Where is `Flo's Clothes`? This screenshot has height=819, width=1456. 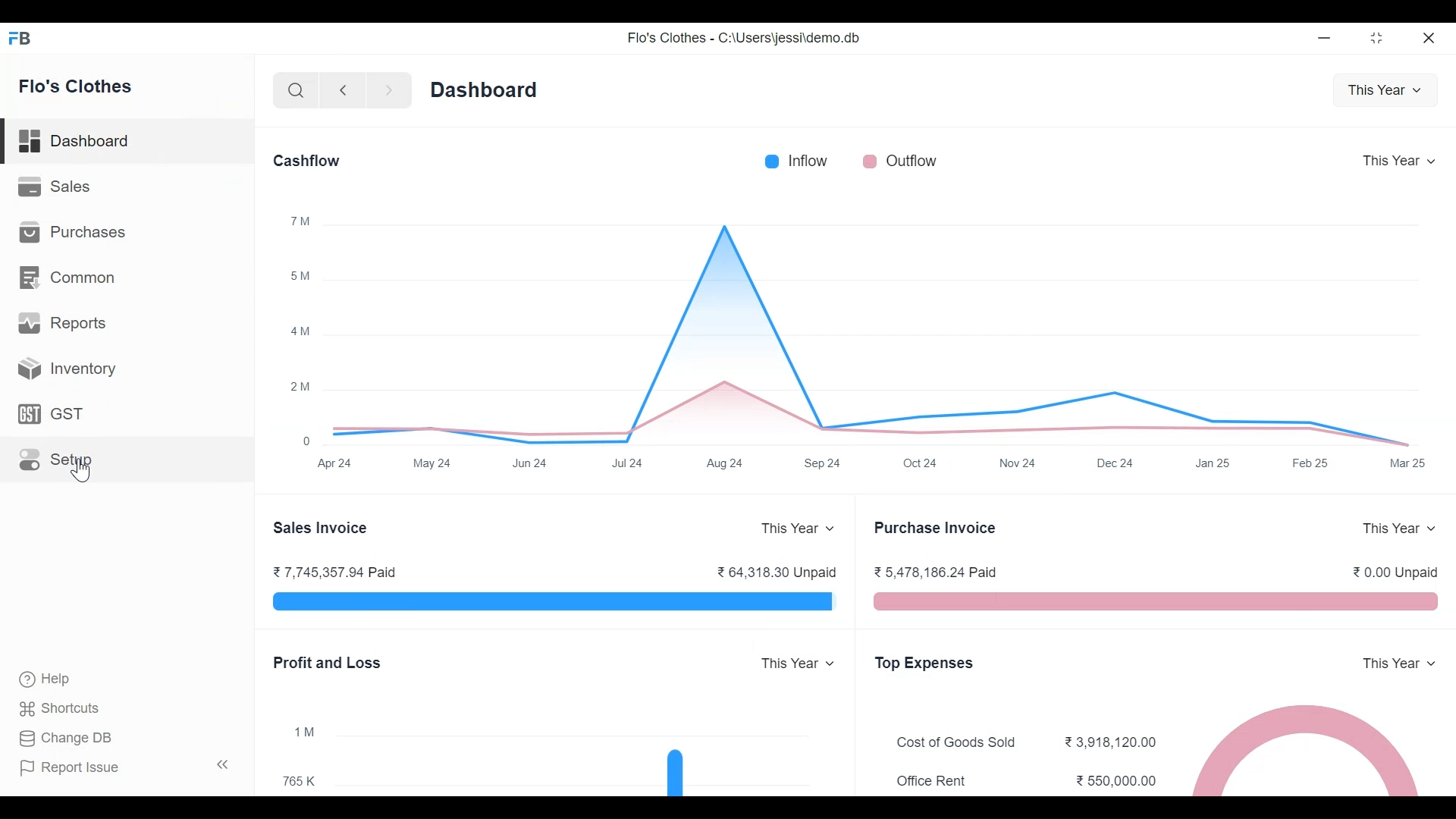
Flo's Clothes is located at coordinates (83, 87).